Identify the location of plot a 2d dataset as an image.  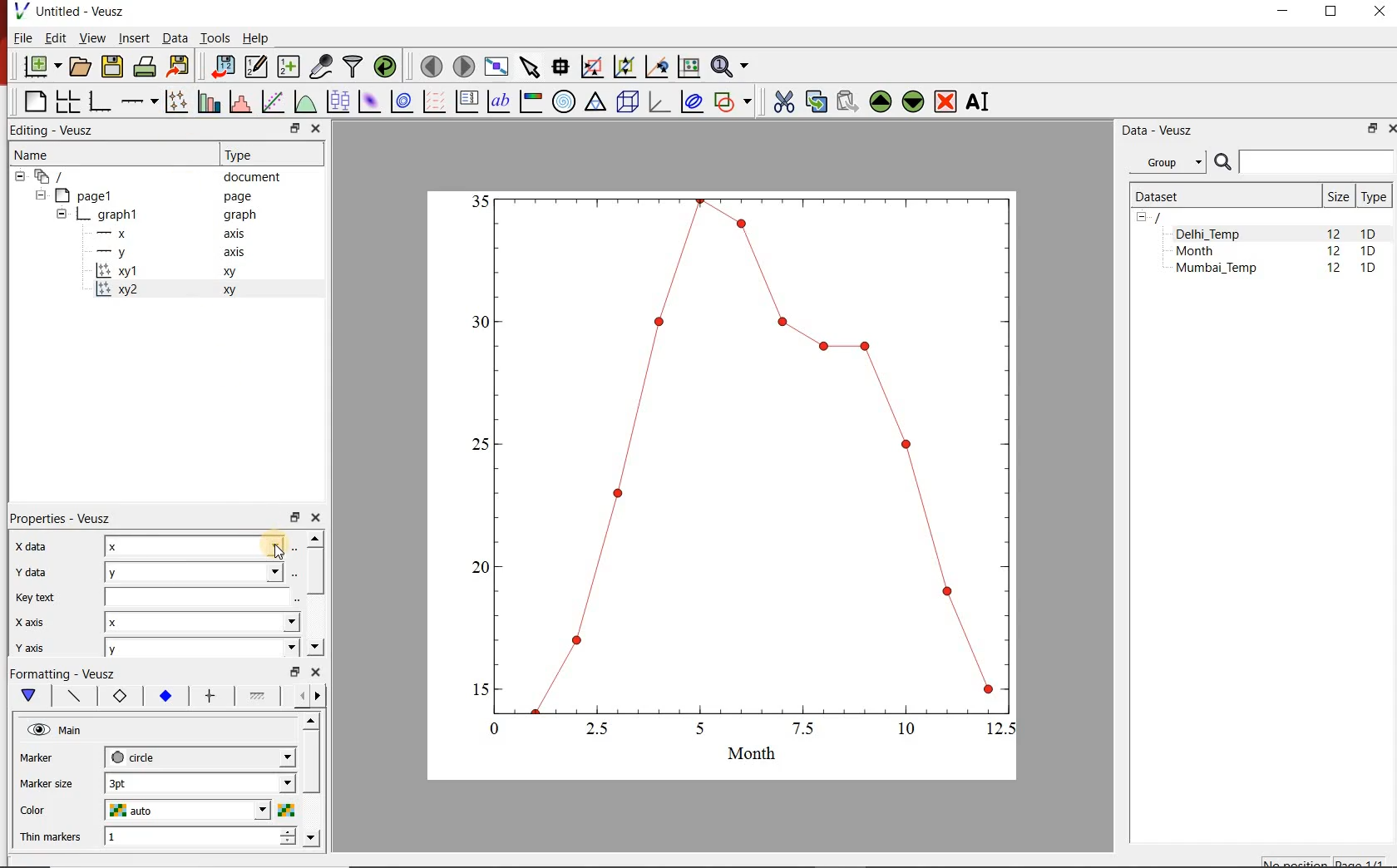
(371, 101).